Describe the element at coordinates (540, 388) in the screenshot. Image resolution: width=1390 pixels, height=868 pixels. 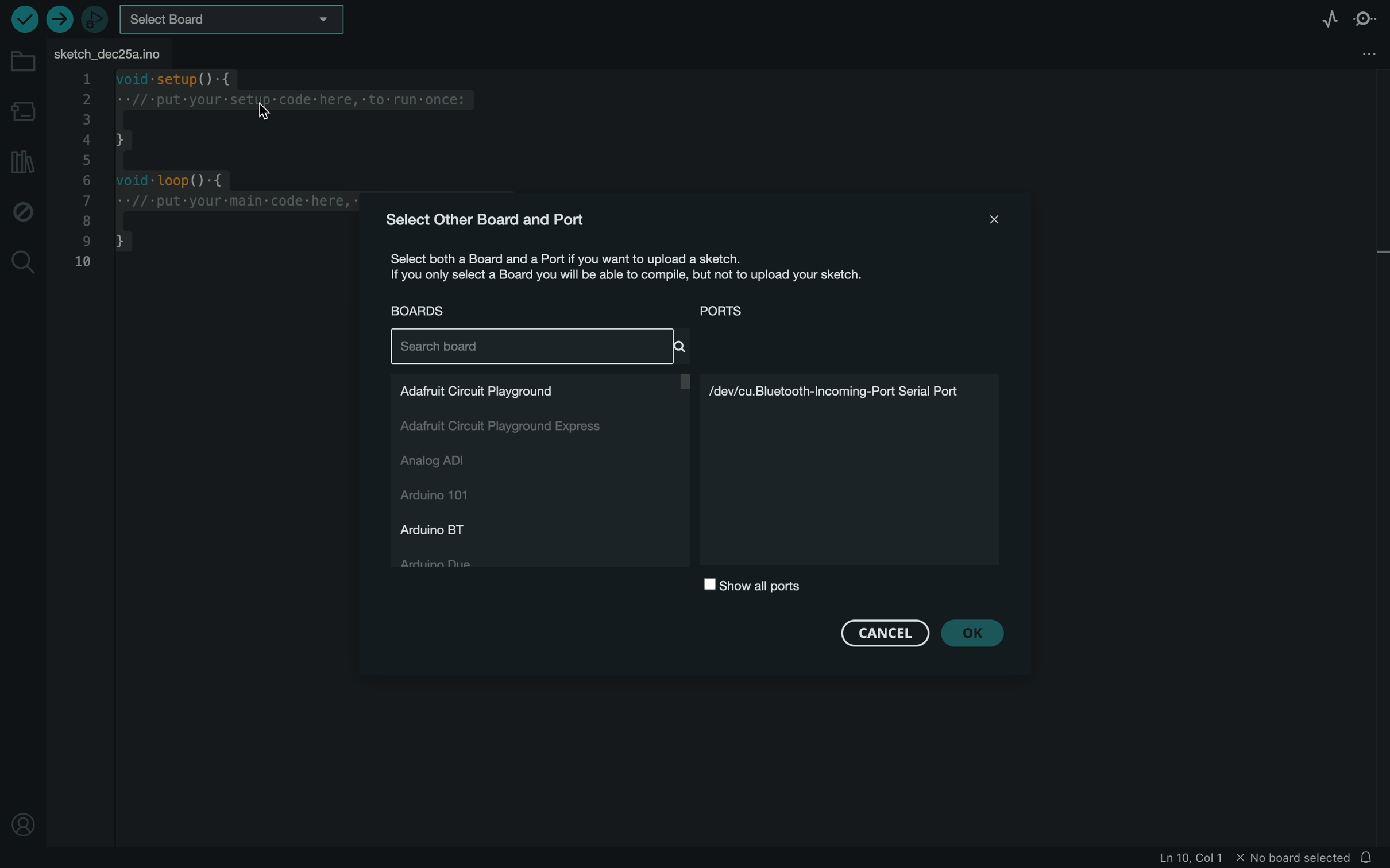
I see `circut ` at that location.